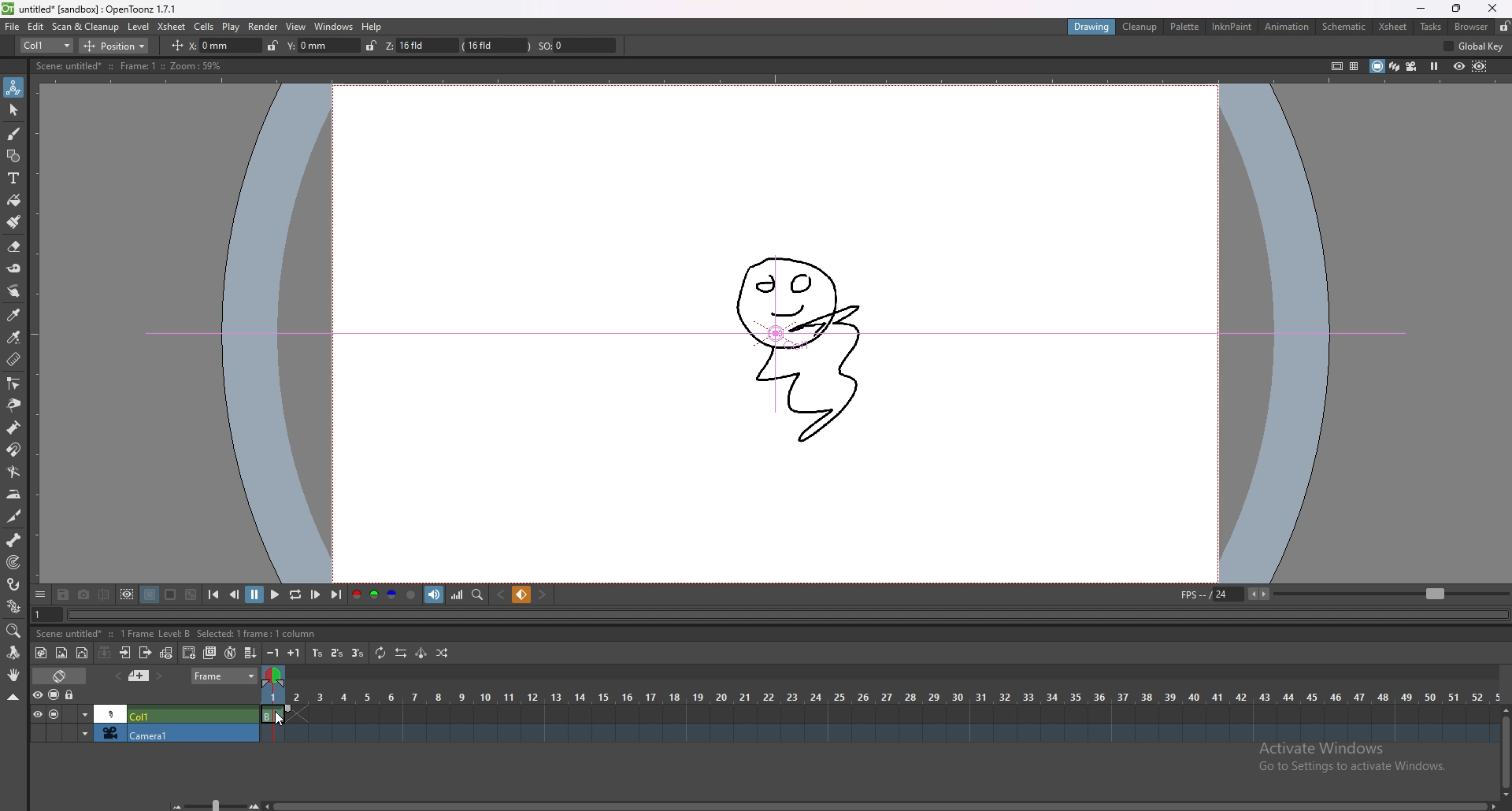  I want to click on column 1, so click(143, 713).